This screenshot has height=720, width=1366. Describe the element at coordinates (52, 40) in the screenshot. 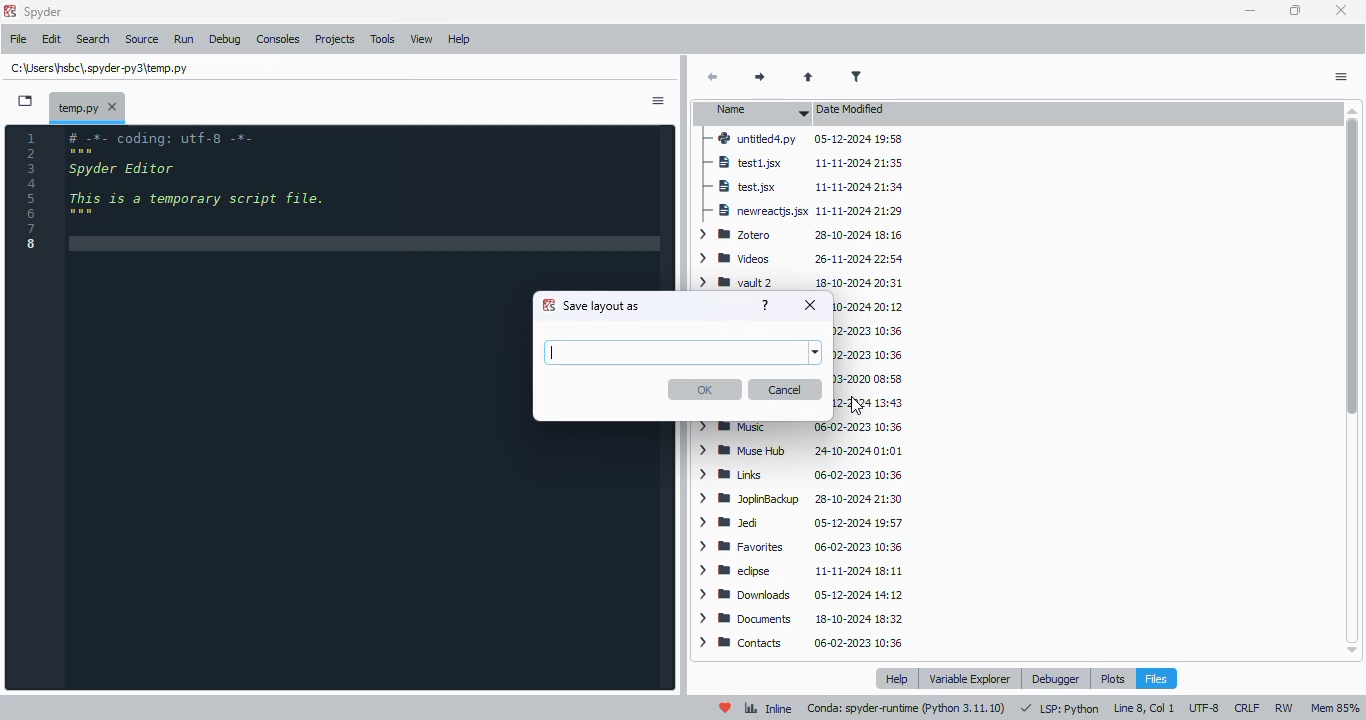

I see `edit` at that location.